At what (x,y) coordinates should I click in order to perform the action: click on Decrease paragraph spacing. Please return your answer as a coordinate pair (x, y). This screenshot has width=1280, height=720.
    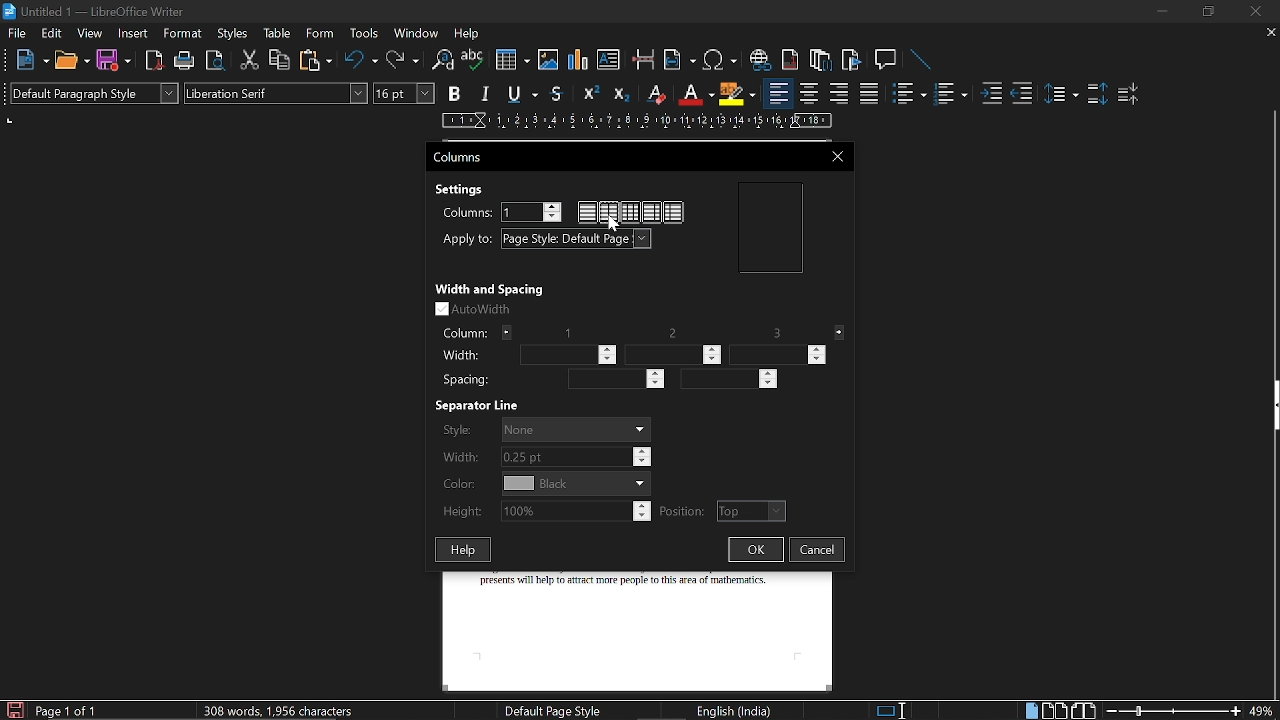
    Looking at the image, I should click on (1128, 93).